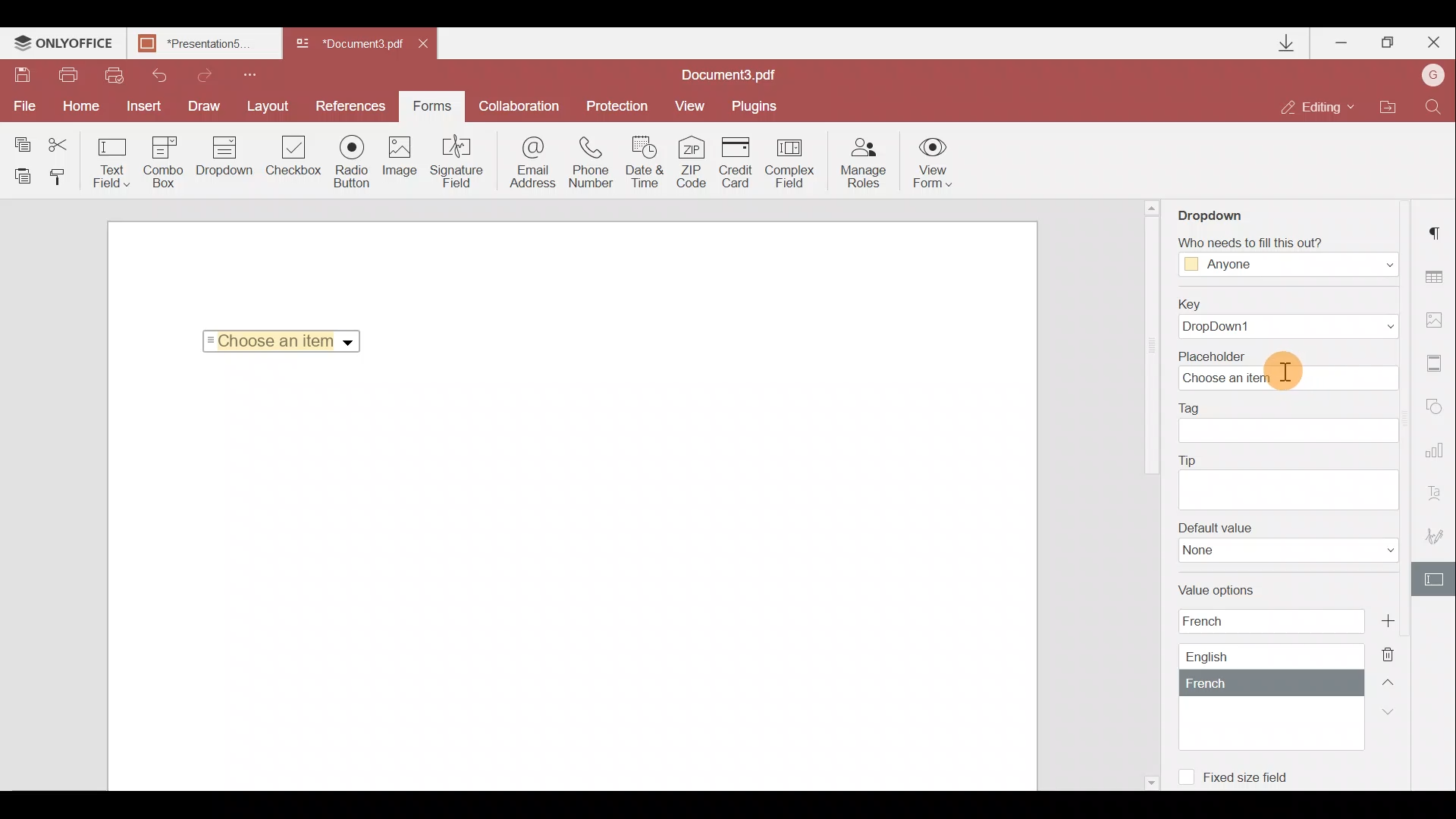 This screenshot has height=819, width=1456. What do you see at coordinates (428, 41) in the screenshot?
I see `Close` at bounding box center [428, 41].